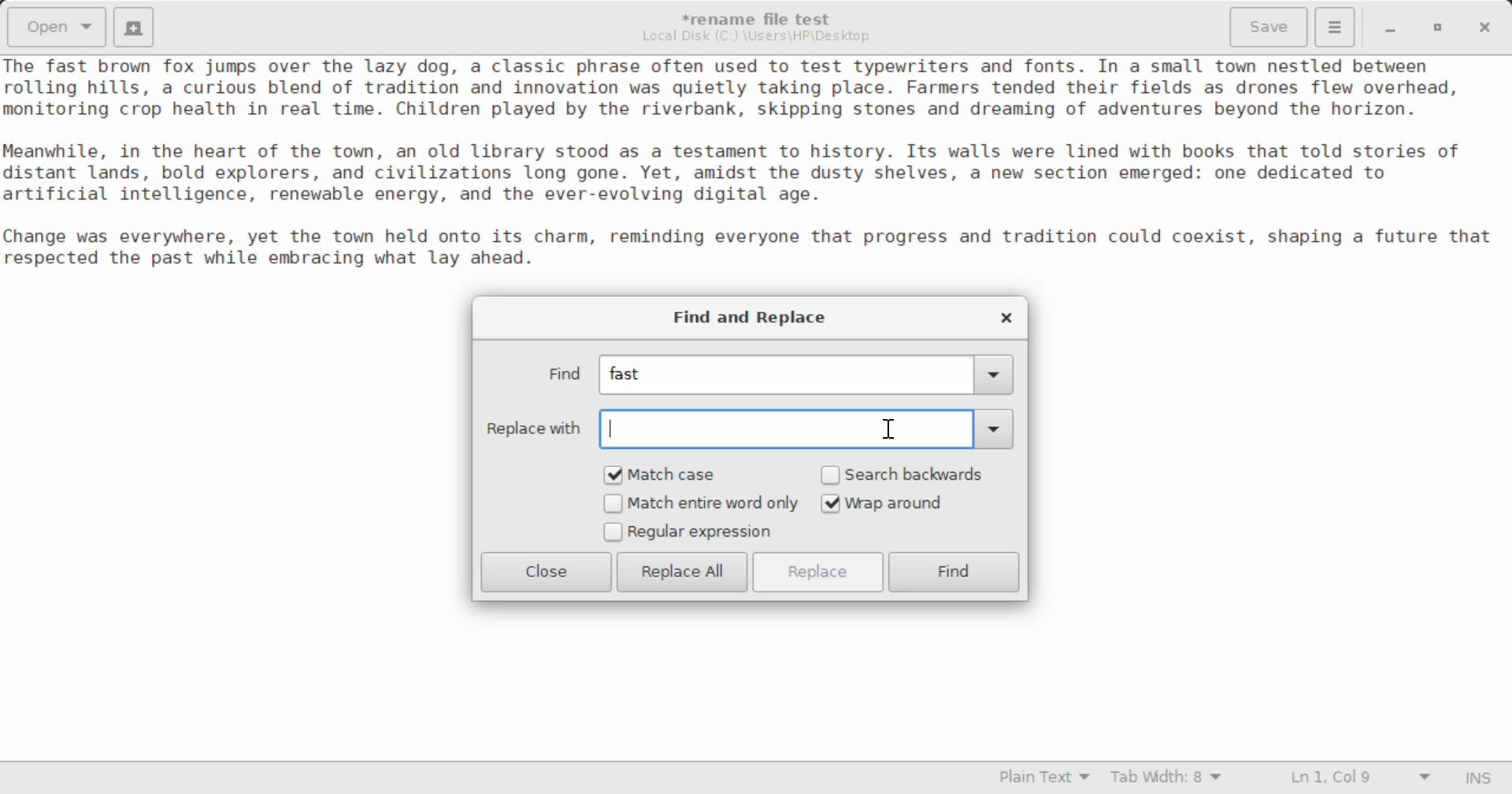 Image resolution: width=1512 pixels, height=794 pixels. Describe the element at coordinates (1336, 28) in the screenshot. I see `More Options Menu` at that location.